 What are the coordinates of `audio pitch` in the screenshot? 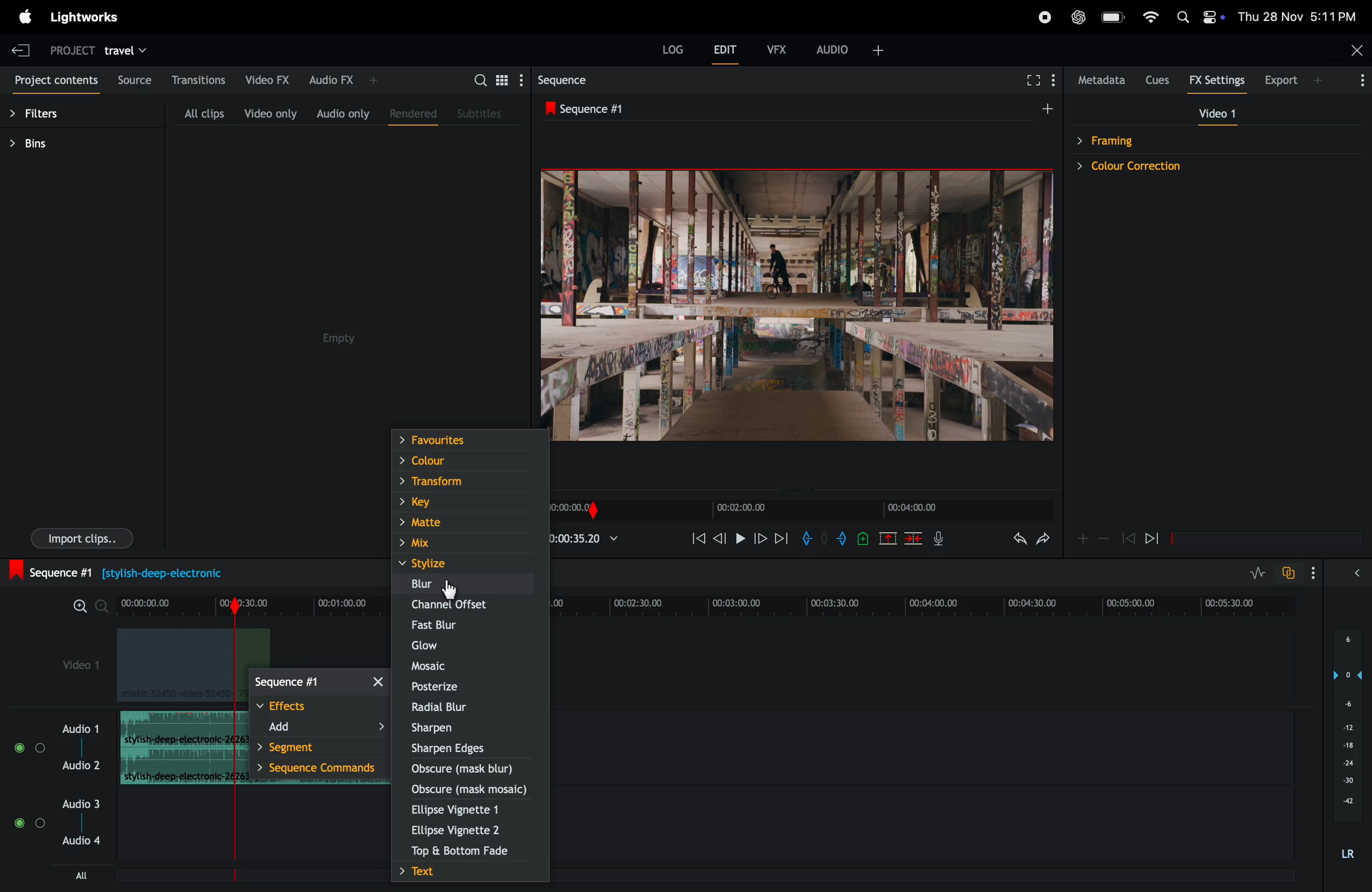 It's located at (1347, 743).